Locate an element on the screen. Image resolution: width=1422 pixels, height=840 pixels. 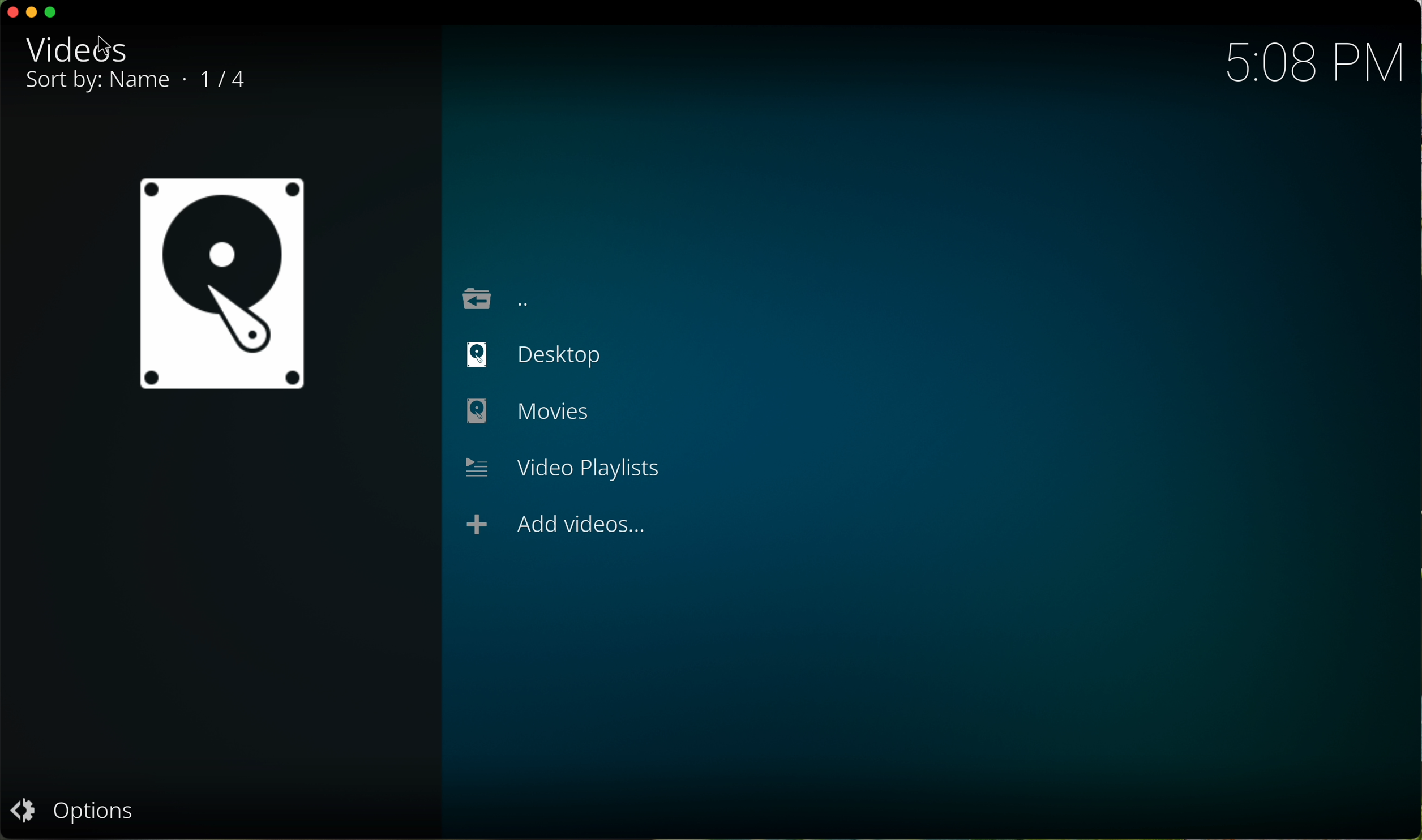
location back is located at coordinates (506, 298).